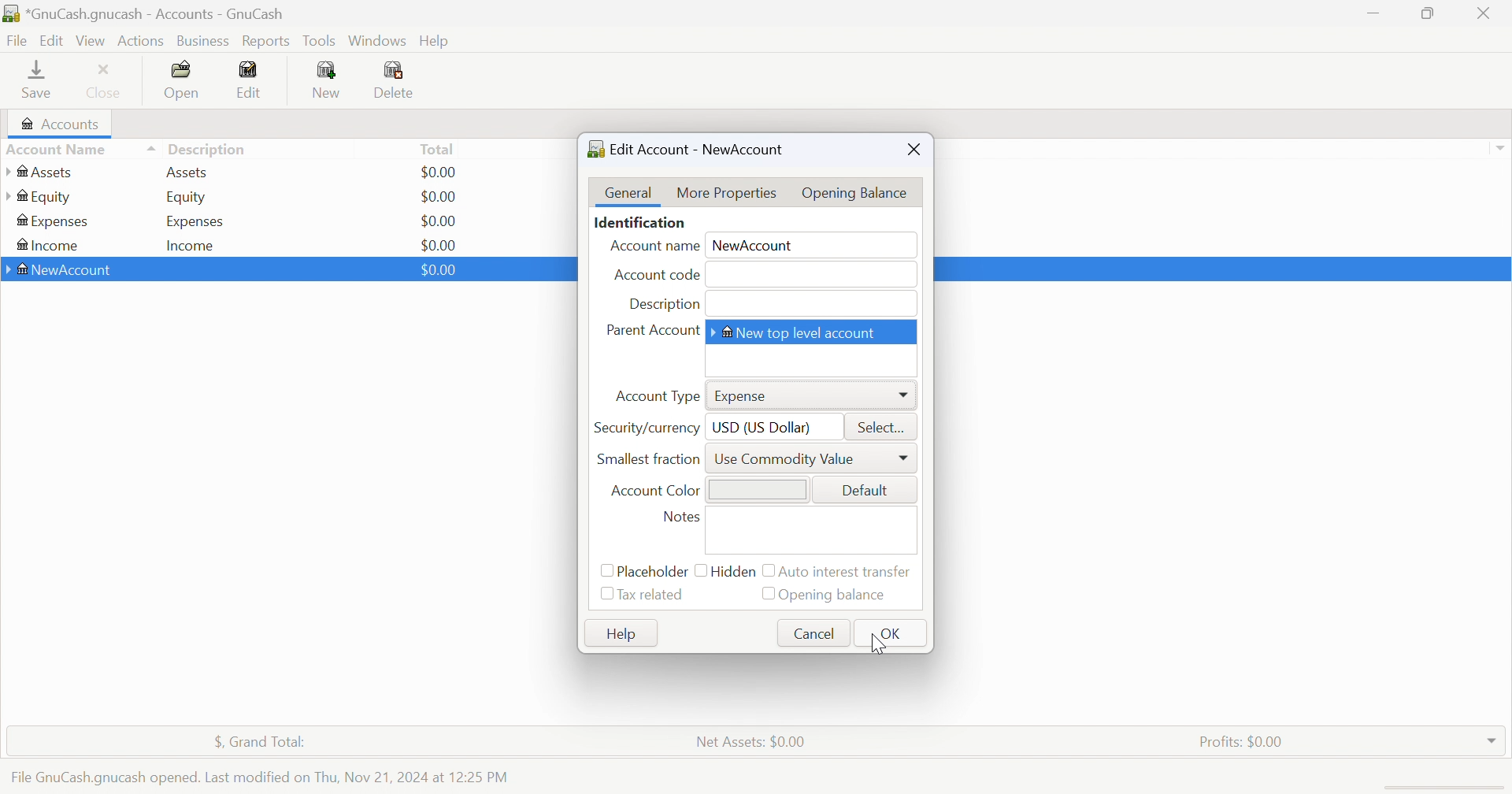 Image resolution: width=1512 pixels, height=794 pixels. What do you see at coordinates (603, 595) in the screenshot?
I see `Checkbox` at bounding box center [603, 595].